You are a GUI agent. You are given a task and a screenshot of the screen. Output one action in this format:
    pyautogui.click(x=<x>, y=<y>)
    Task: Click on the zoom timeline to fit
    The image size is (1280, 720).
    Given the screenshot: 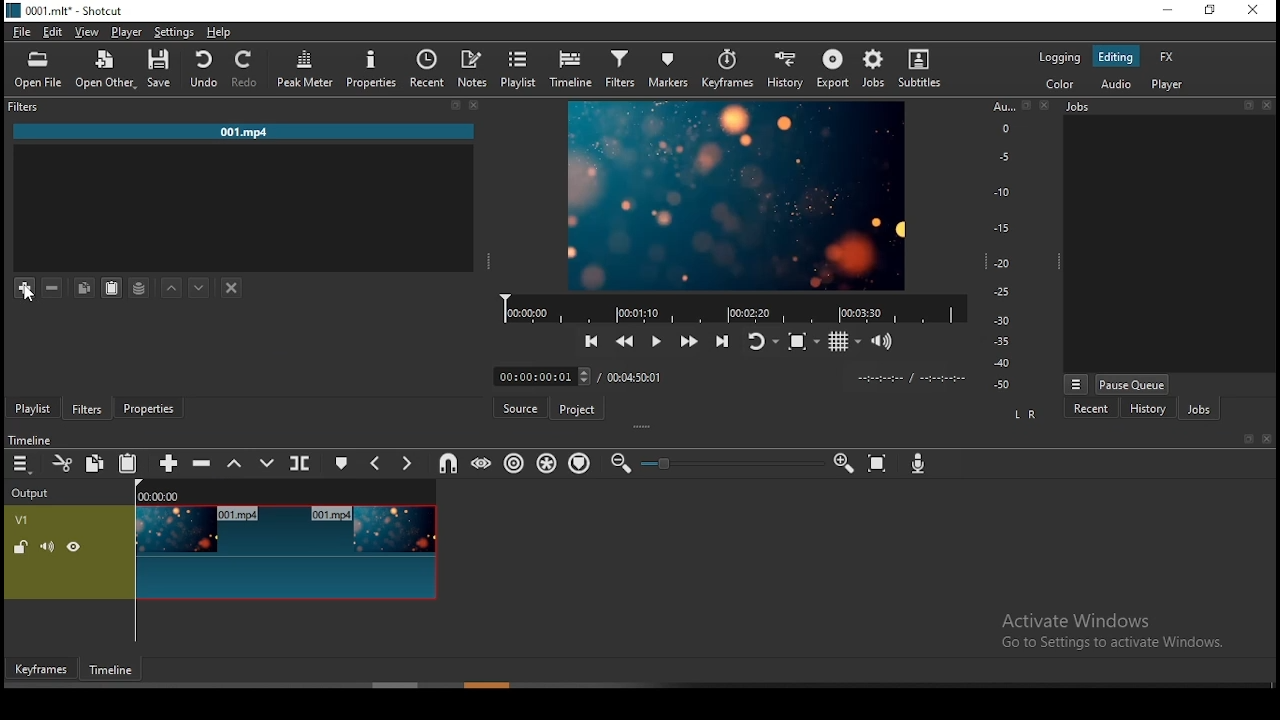 What is the action you would take?
    pyautogui.click(x=878, y=464)
    